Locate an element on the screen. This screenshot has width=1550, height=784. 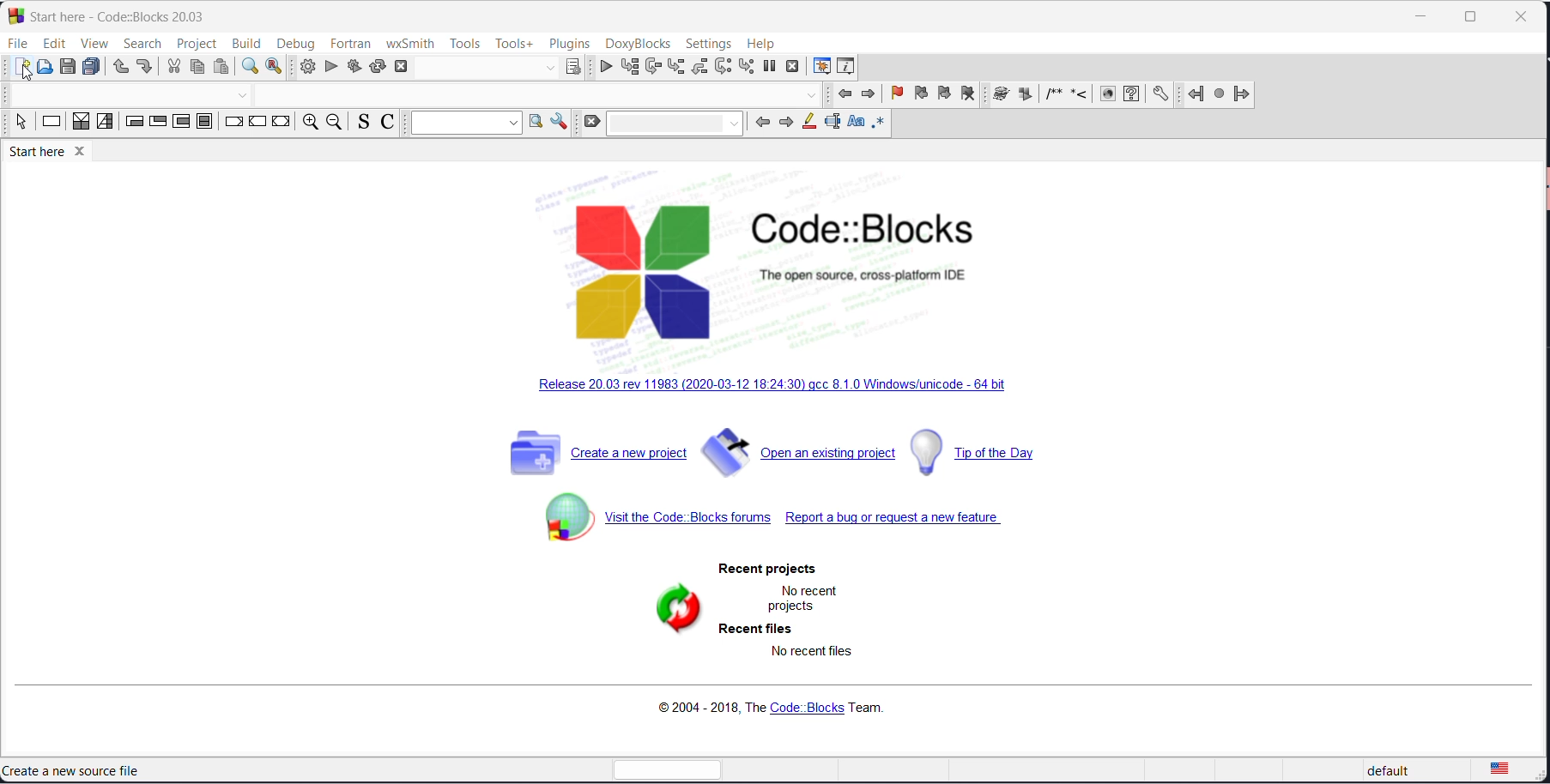
save is located at coordinates (68, 67).